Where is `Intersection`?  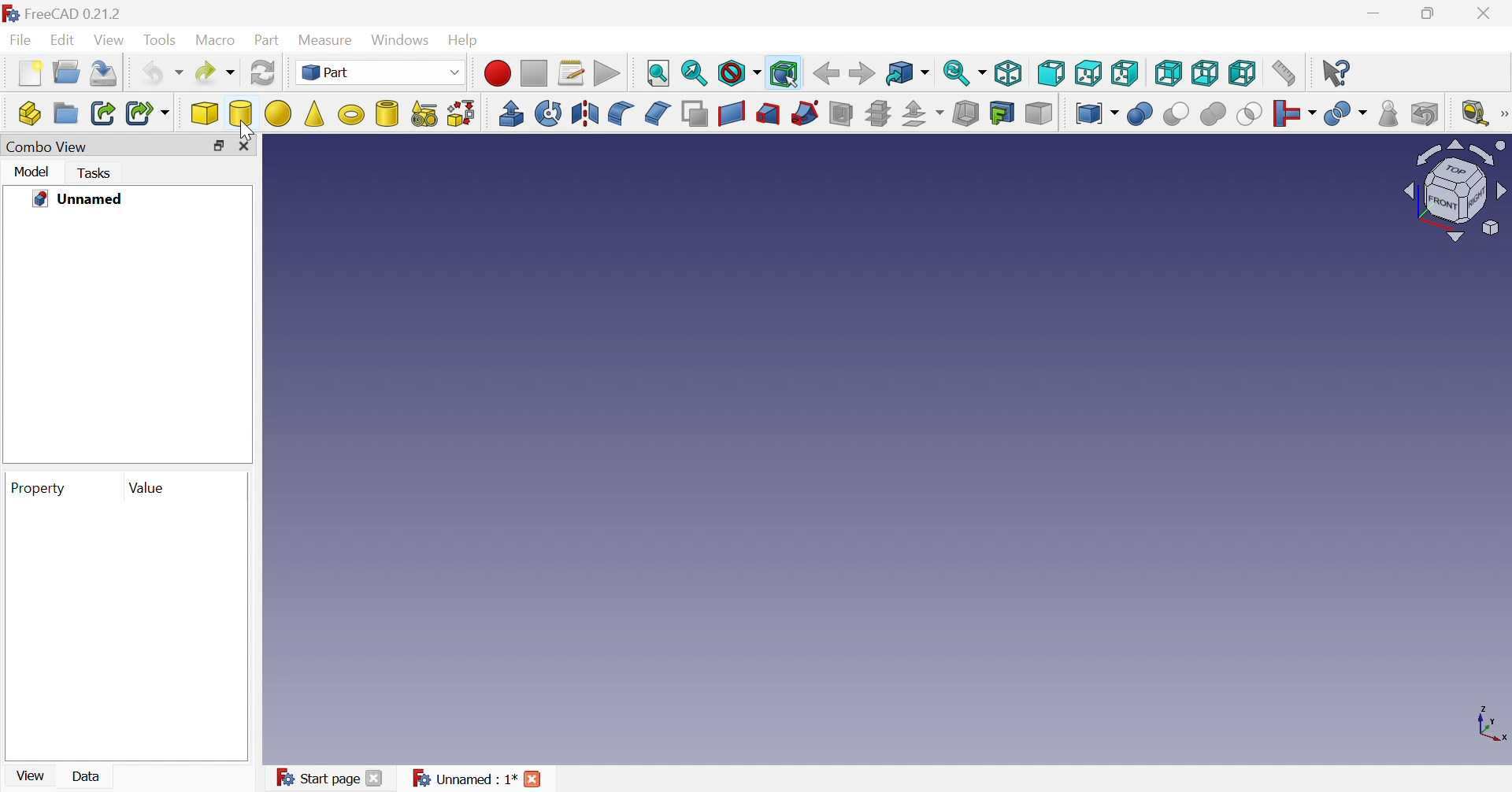 Intersection is located at coordinates (1250, 115).